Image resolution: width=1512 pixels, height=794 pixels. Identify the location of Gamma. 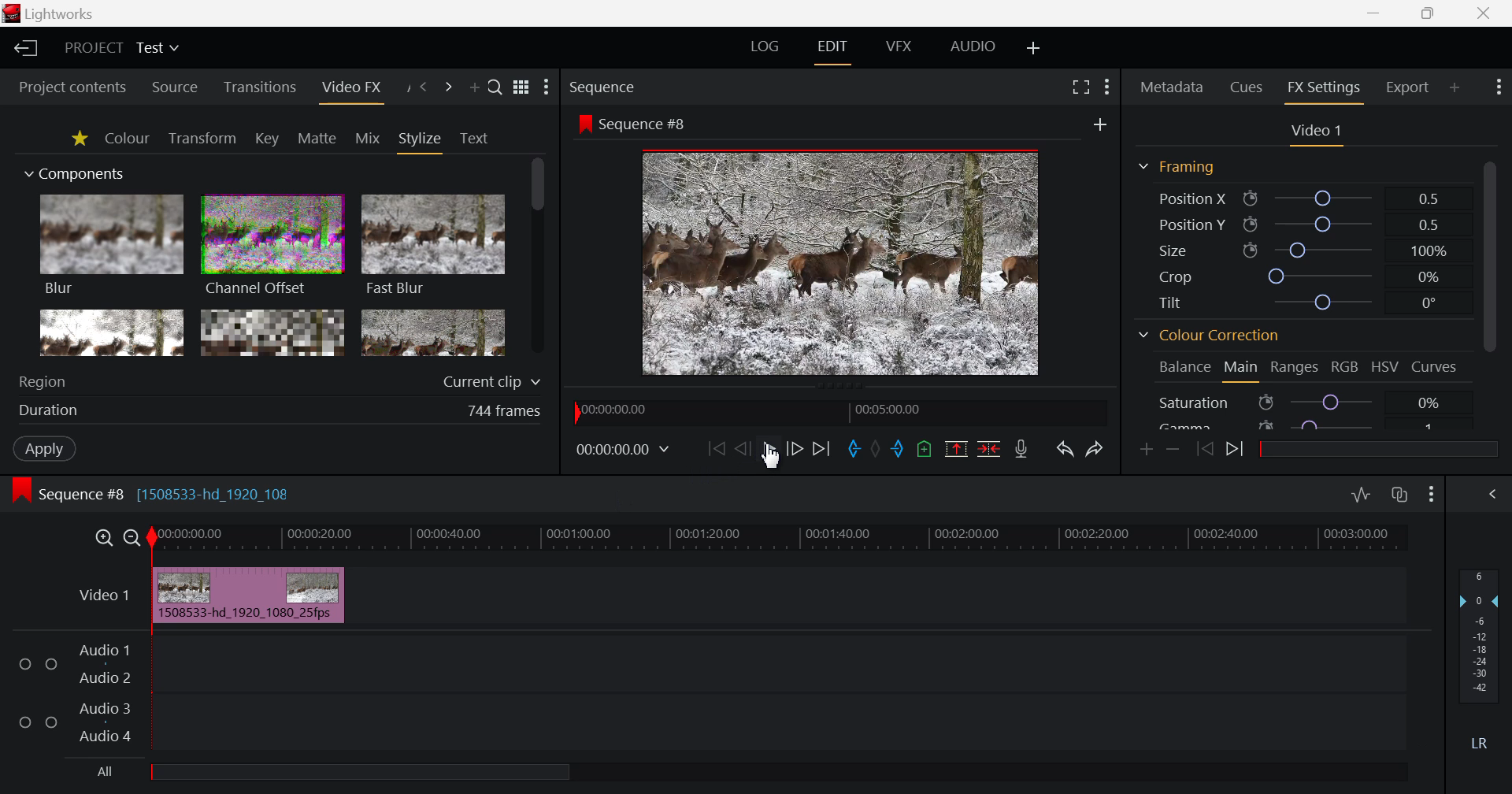
(1310, 423).